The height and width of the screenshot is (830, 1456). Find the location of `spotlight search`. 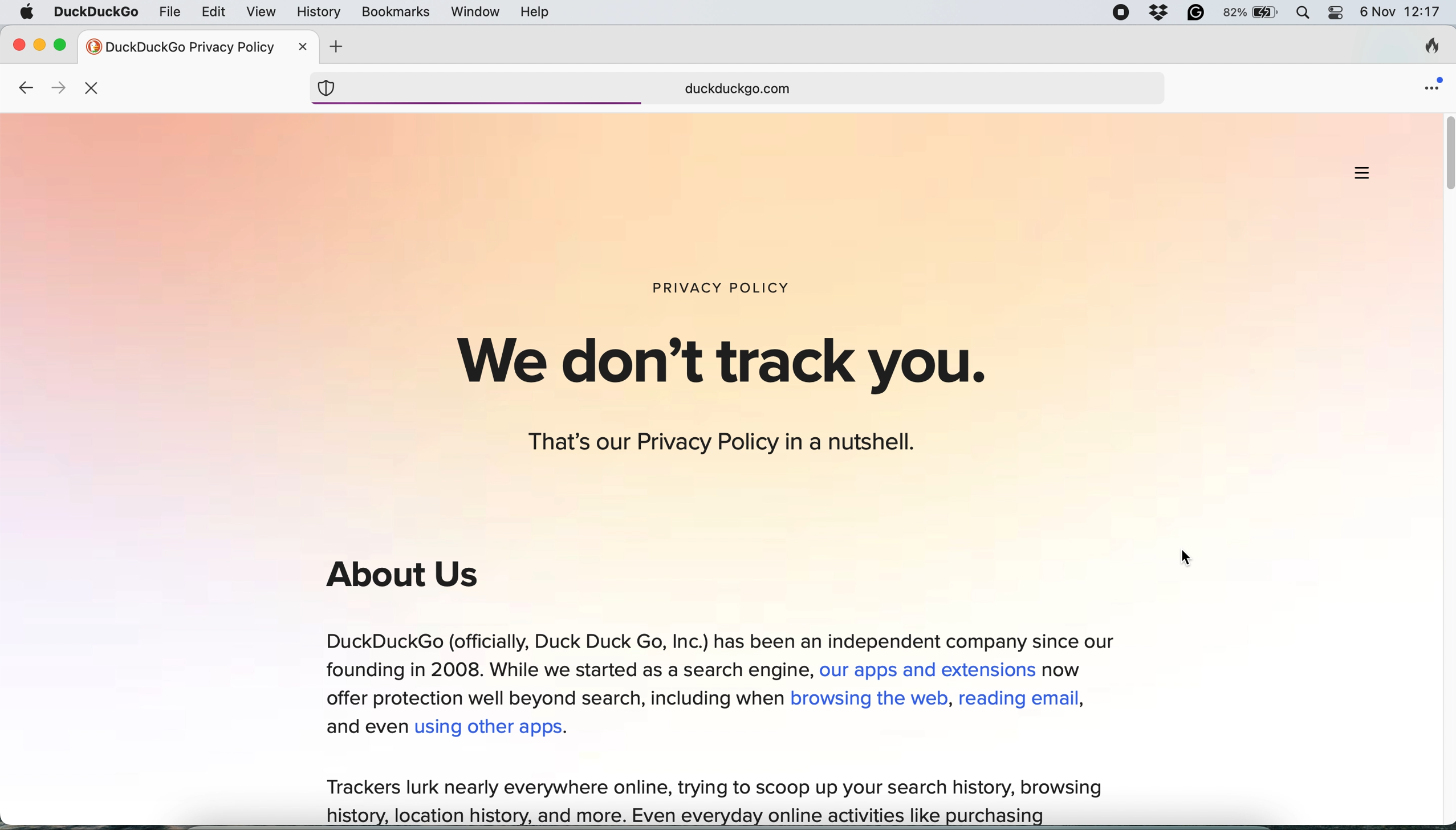

spotlight search is located at coordinates (1304, 14).